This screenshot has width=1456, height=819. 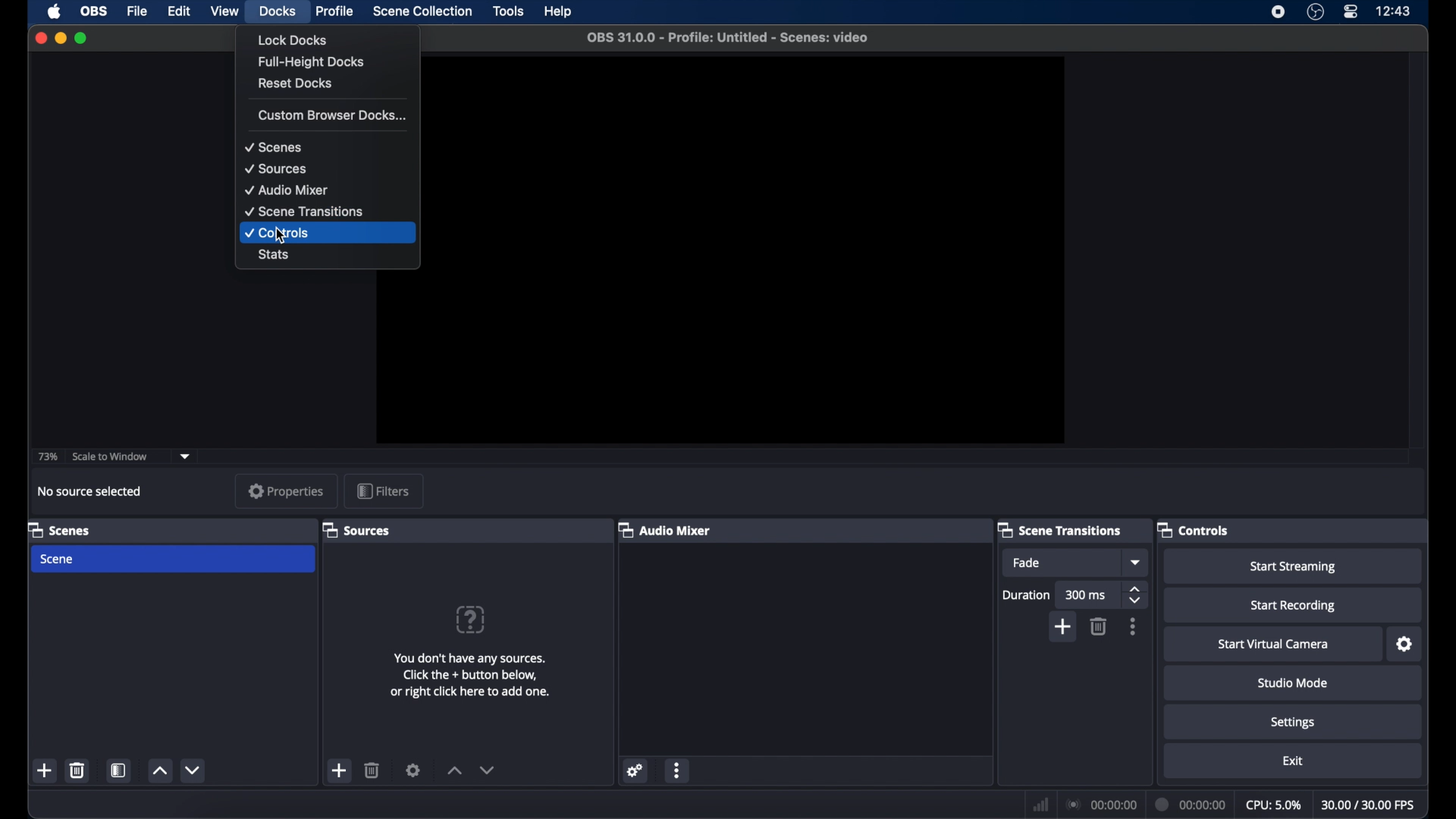 What do you see at coordinates (1064, 626) in the screenshot?
I see `add` at bounding box center [1064, 626].